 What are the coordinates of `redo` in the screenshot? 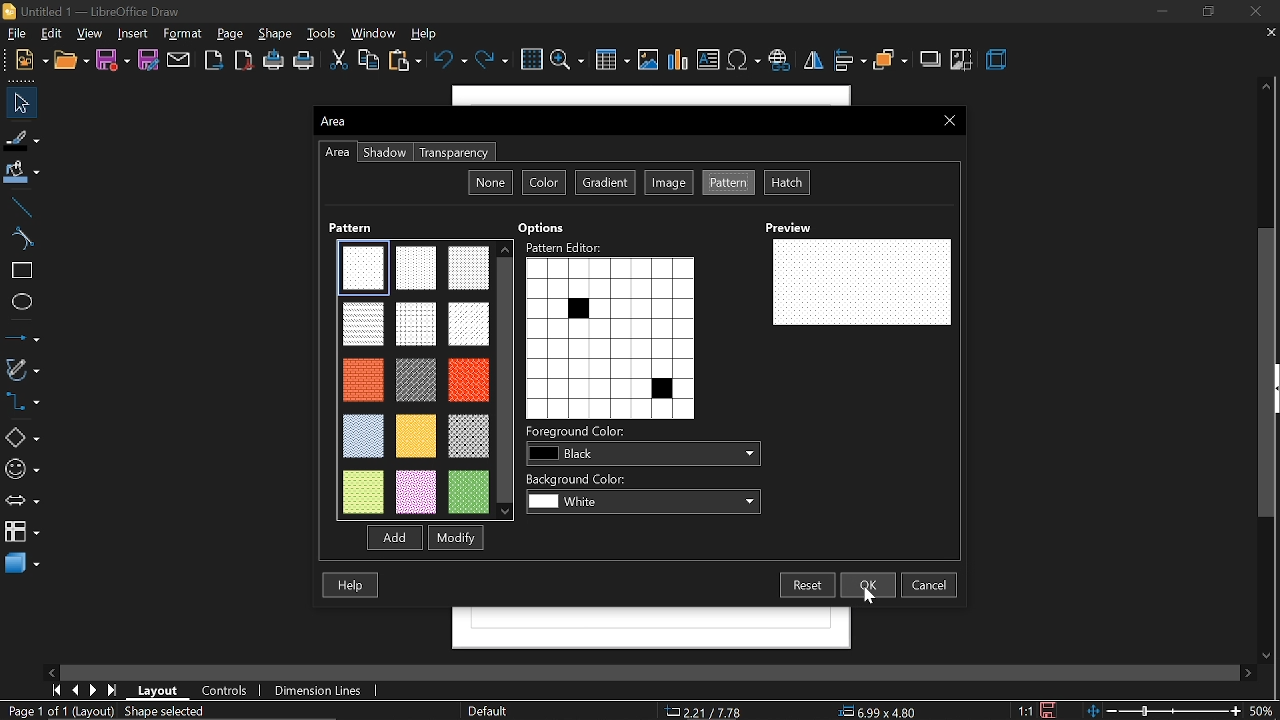 It's located at (493, 61).